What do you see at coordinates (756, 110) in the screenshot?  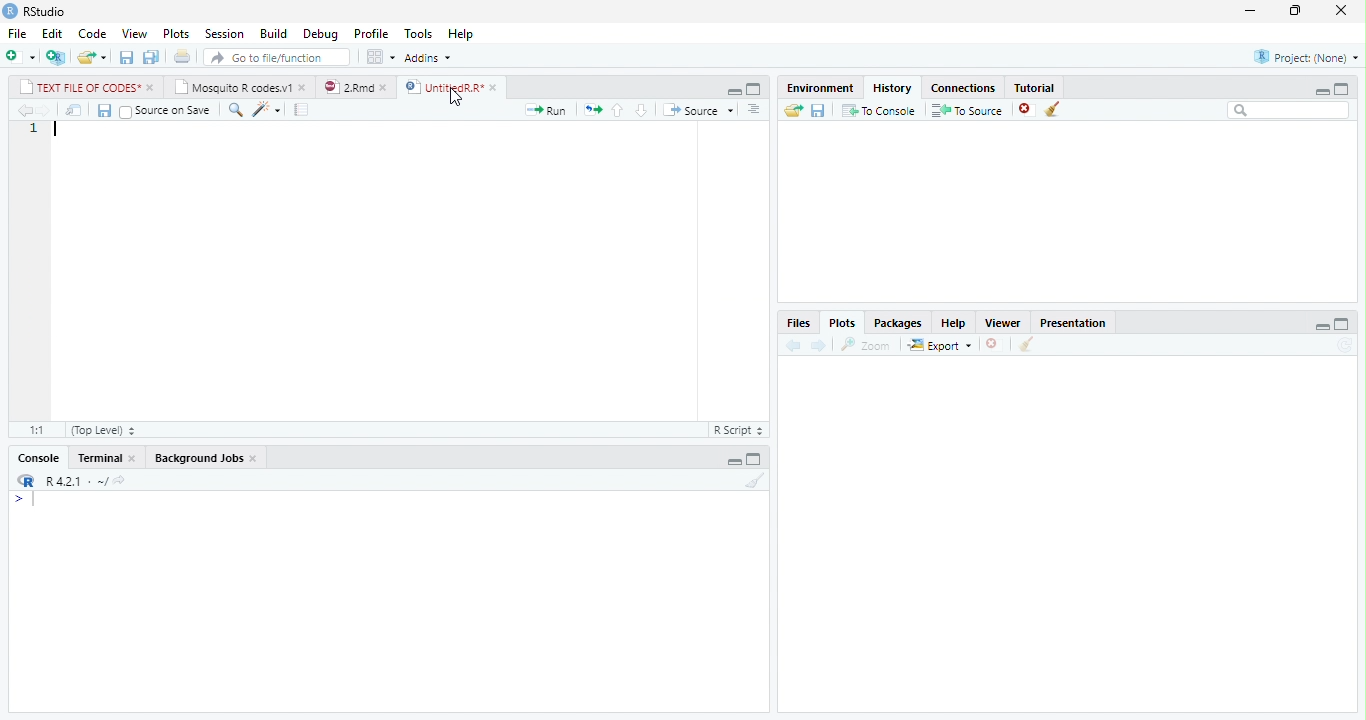 I see `more` at bounding box center [756, 110].